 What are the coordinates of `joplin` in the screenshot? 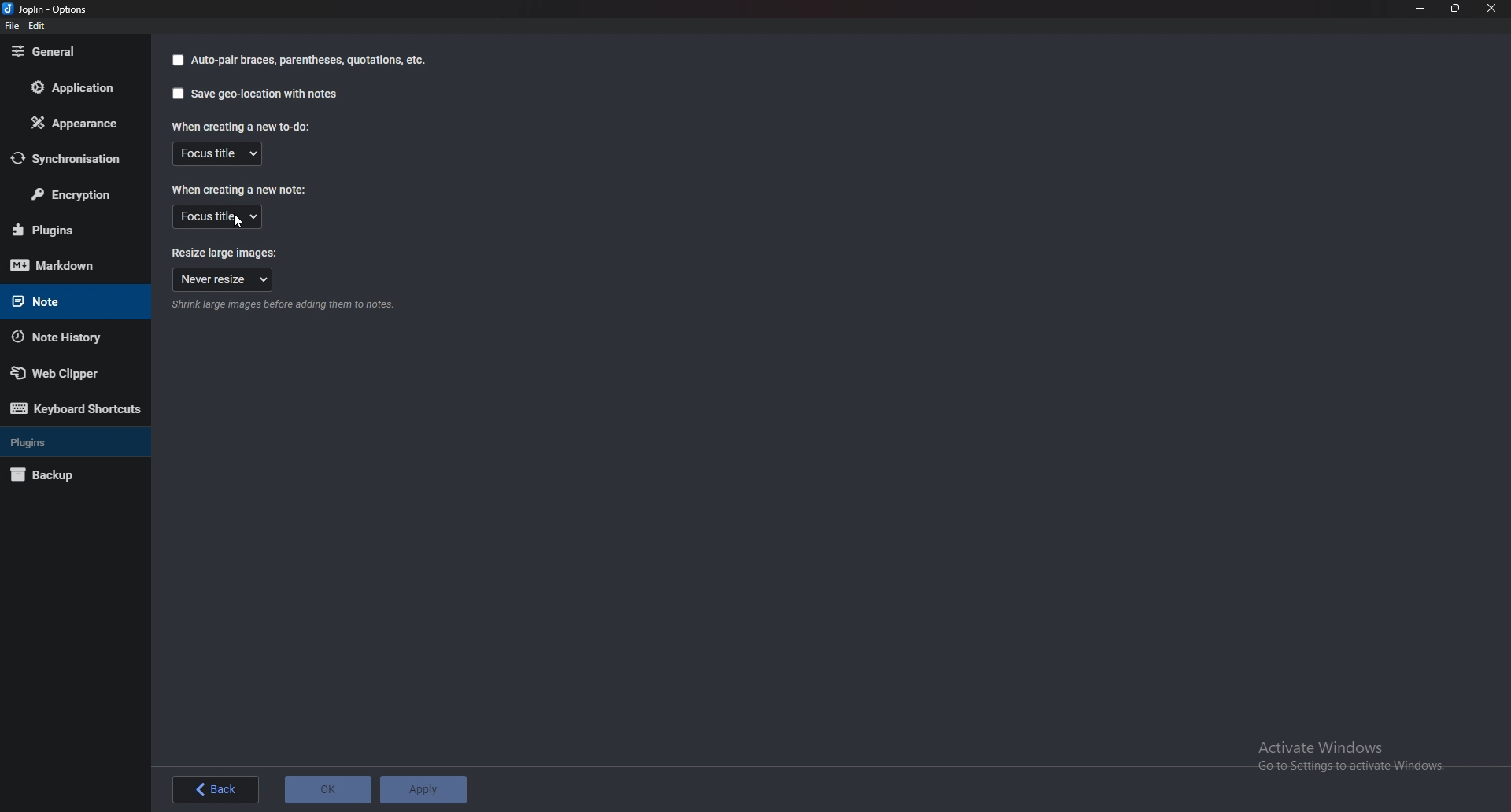 It's located at (47, 10).